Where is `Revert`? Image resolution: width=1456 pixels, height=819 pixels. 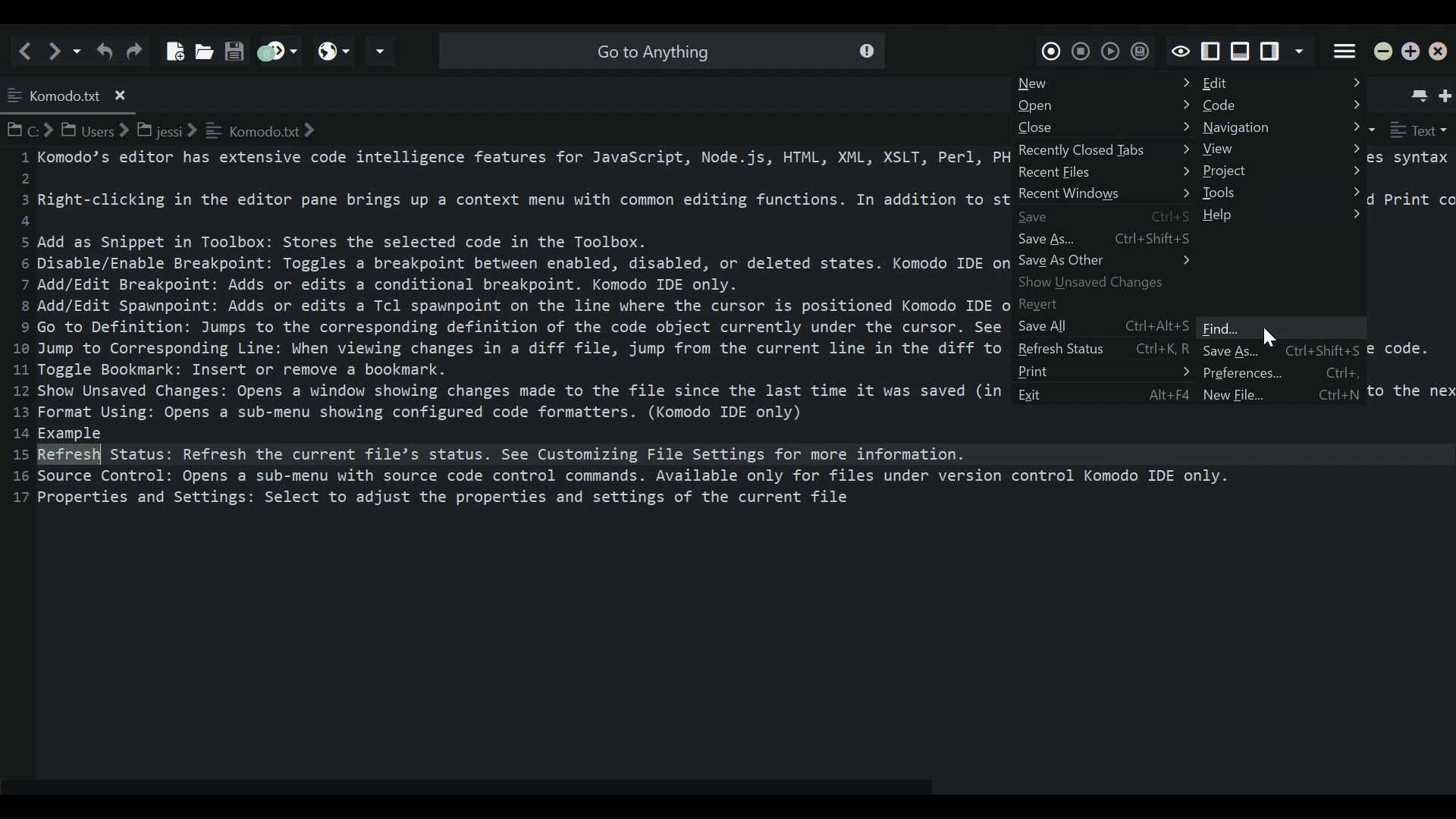
Revert is located at coordinates (1105, 303).